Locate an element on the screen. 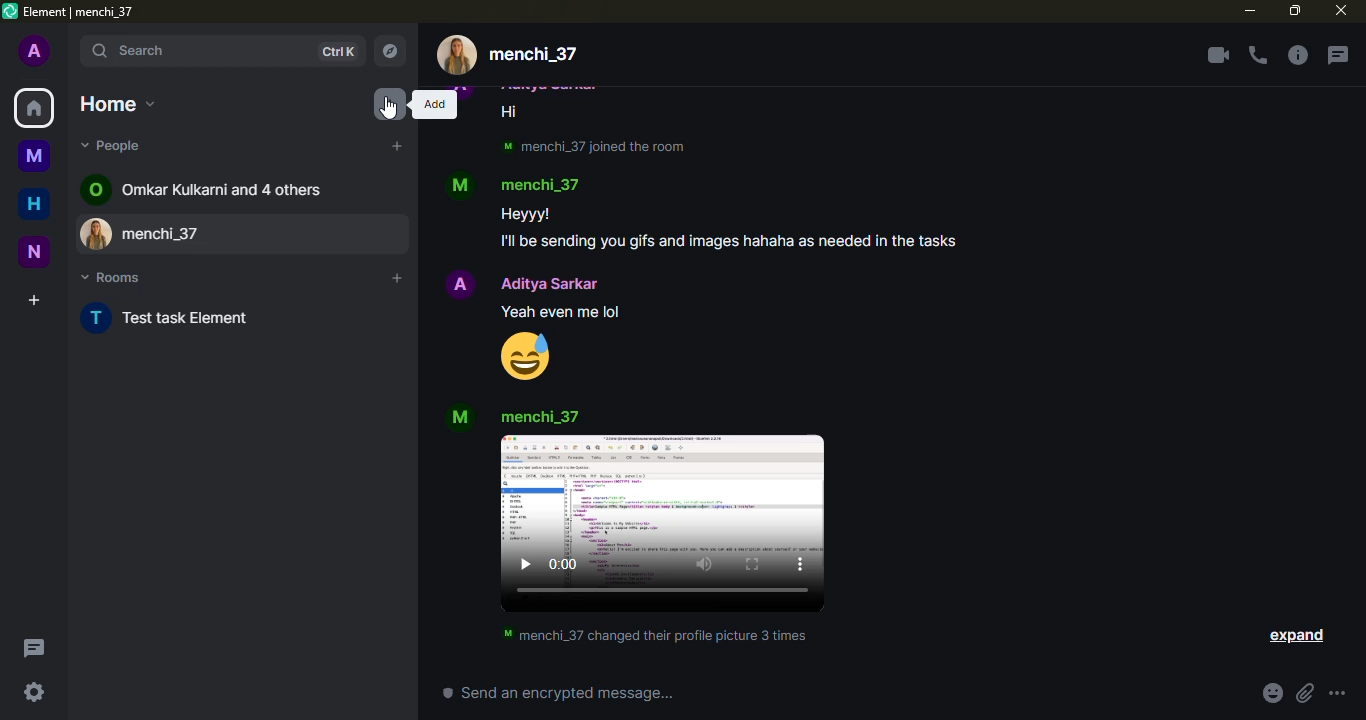 Image resolution: width=1366 pixels, height=720 pixels. rooms is located at coordinates (112, 277).